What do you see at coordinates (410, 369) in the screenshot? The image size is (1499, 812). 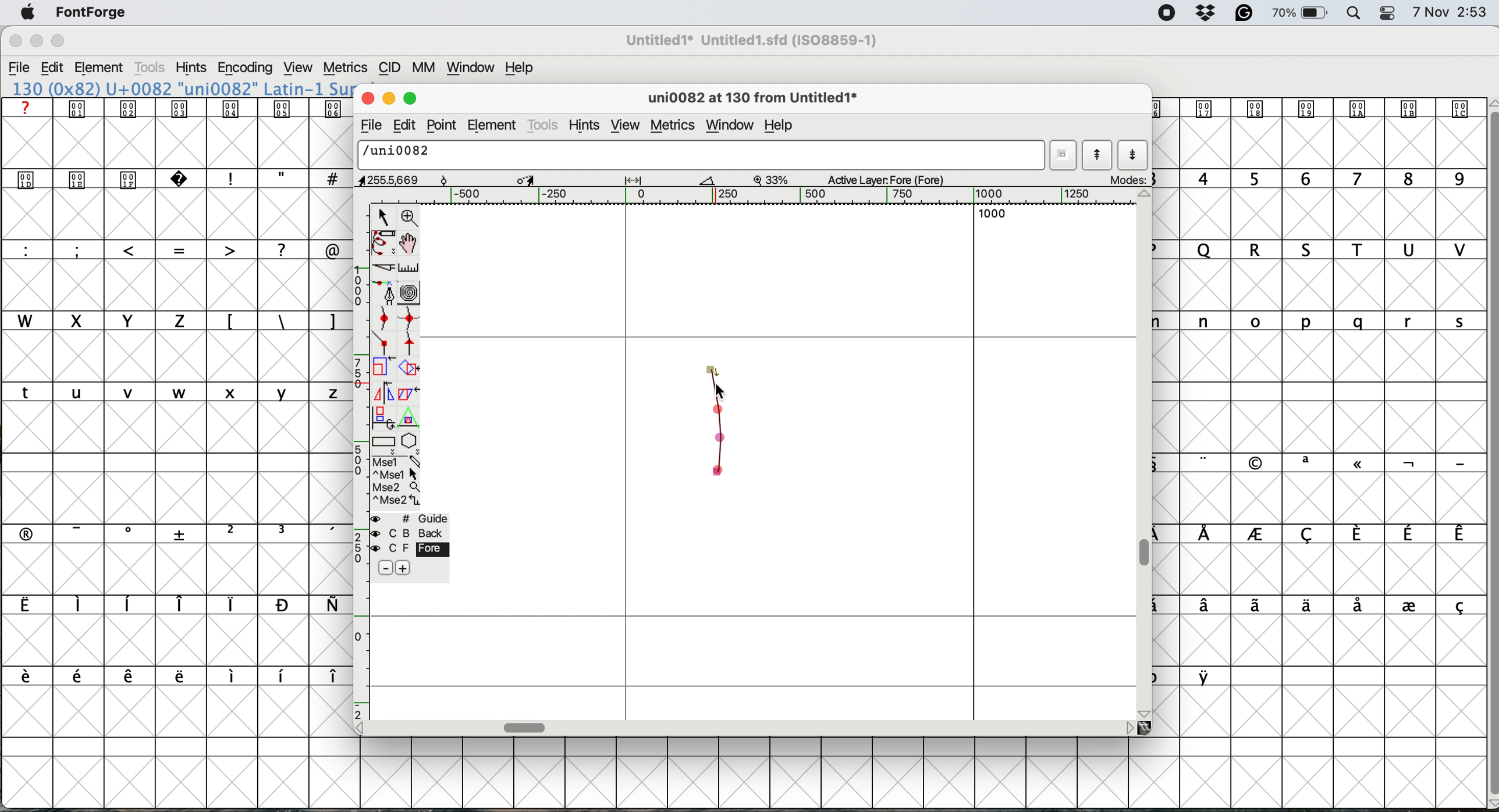 I see `rotate selection` at bounding box center [410, 369].